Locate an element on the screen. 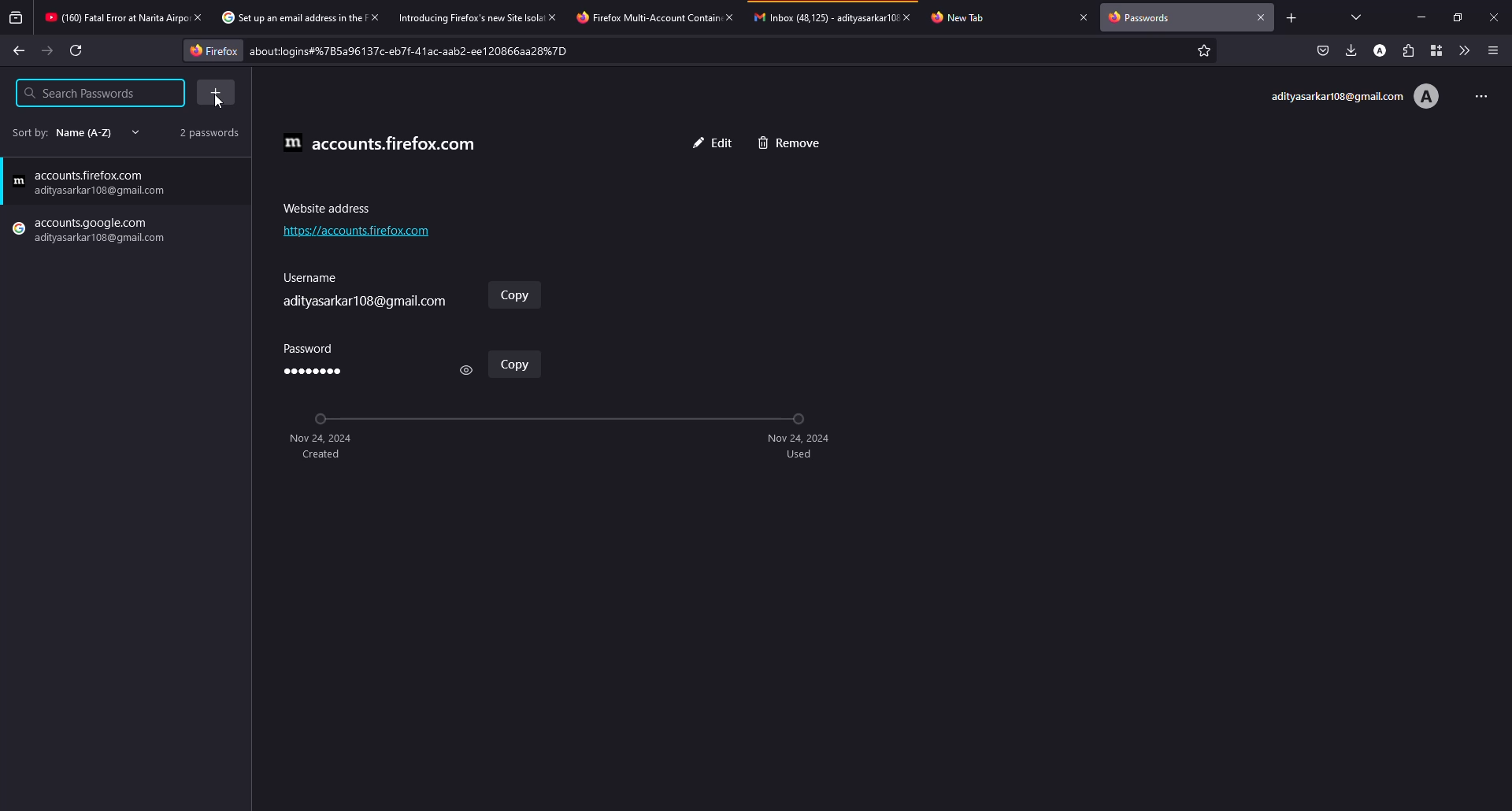 The height and width of the screenshot is (811, 1512). username is located at coordinates (307, 277).